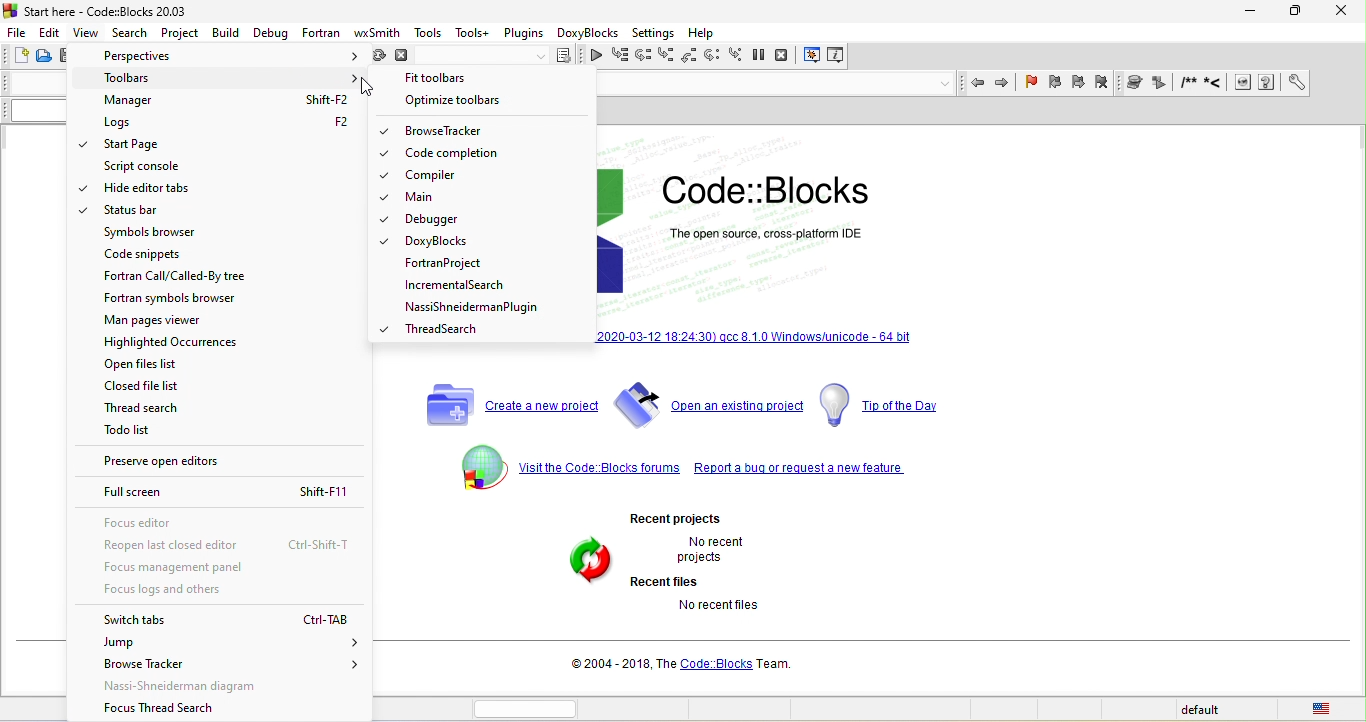 This screenshot has width=1366, height=722. Describe the element at coordinates (220, 619) in the screenshot. I see `switch tabs` at that location.